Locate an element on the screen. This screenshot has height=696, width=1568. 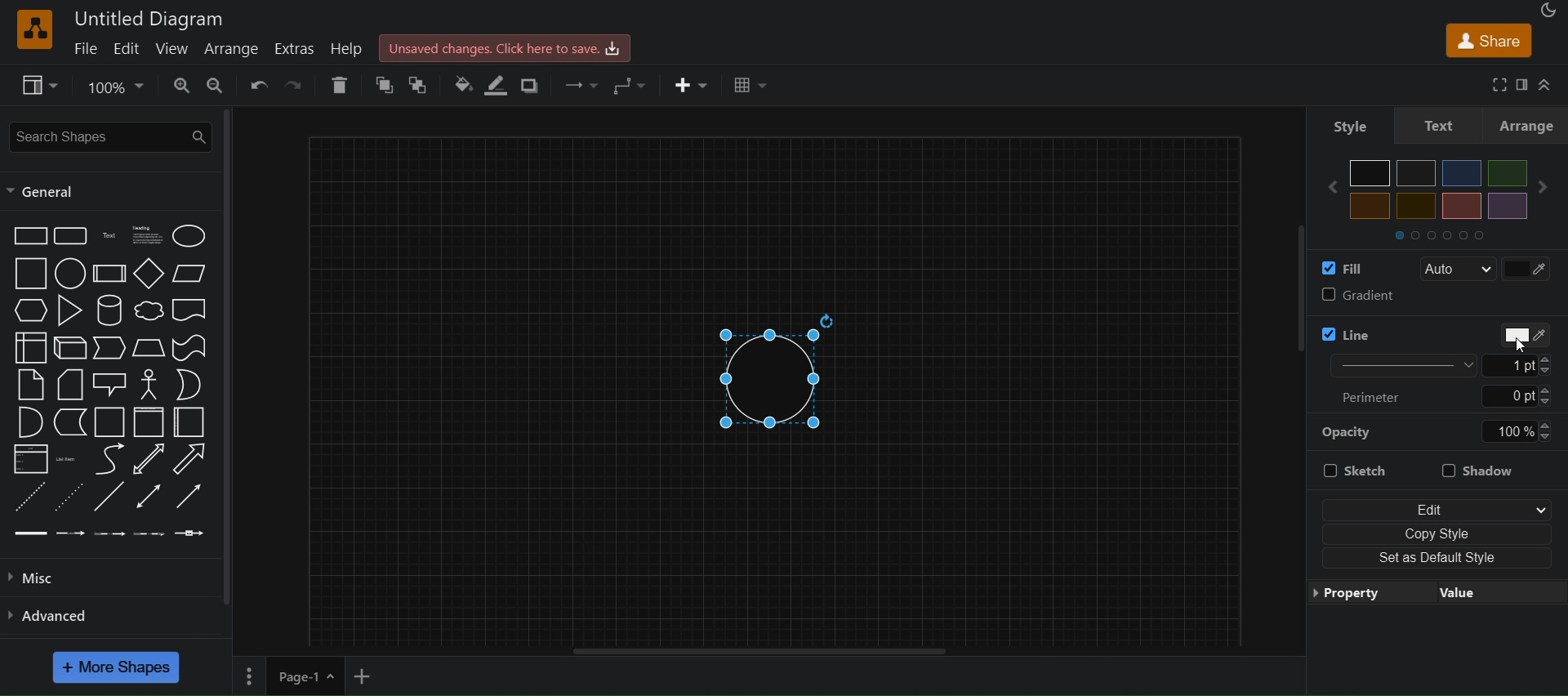
color is located at coordinates (1530, 267).